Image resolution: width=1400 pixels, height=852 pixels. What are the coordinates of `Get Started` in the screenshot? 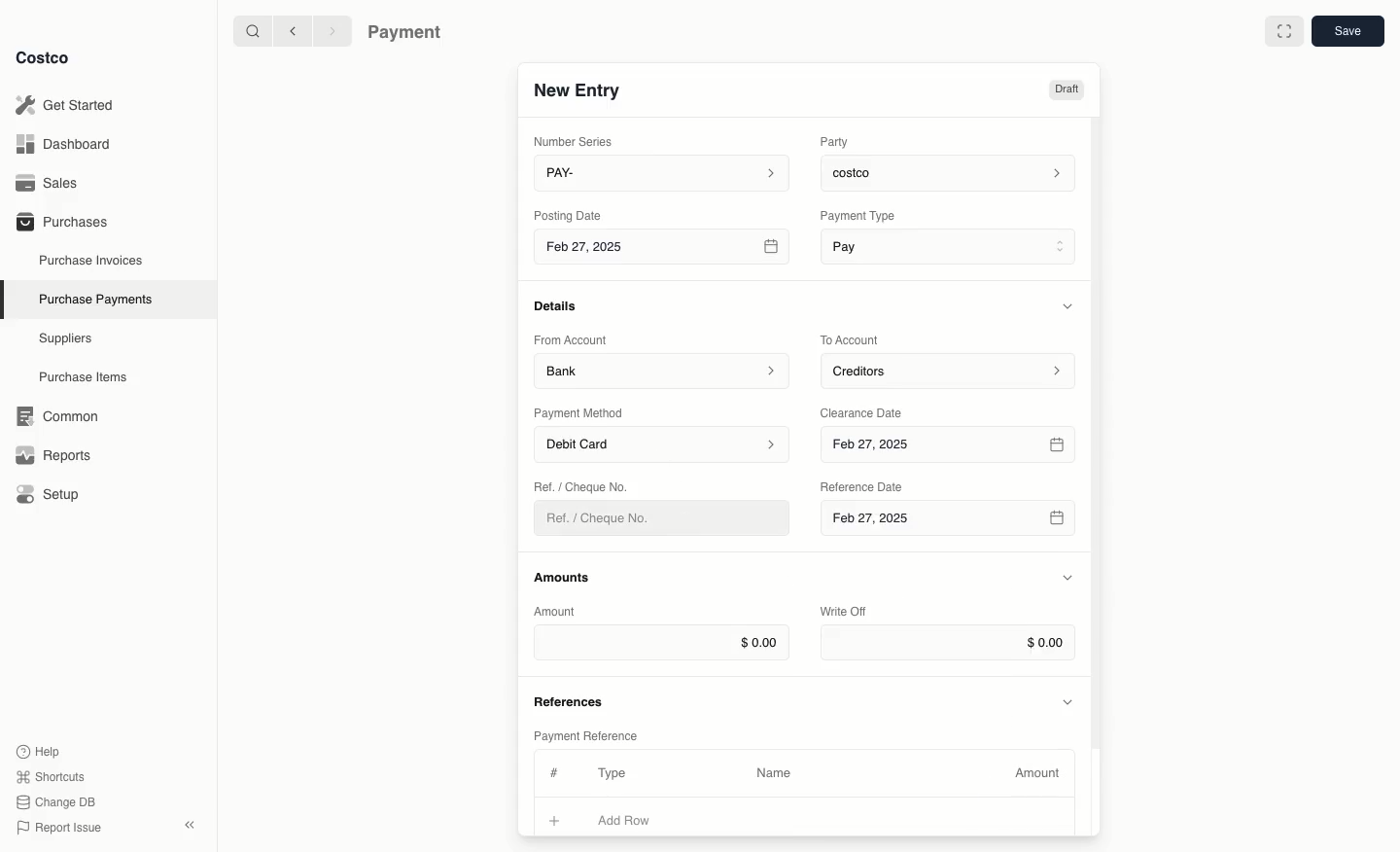 It's located at (69, 105).